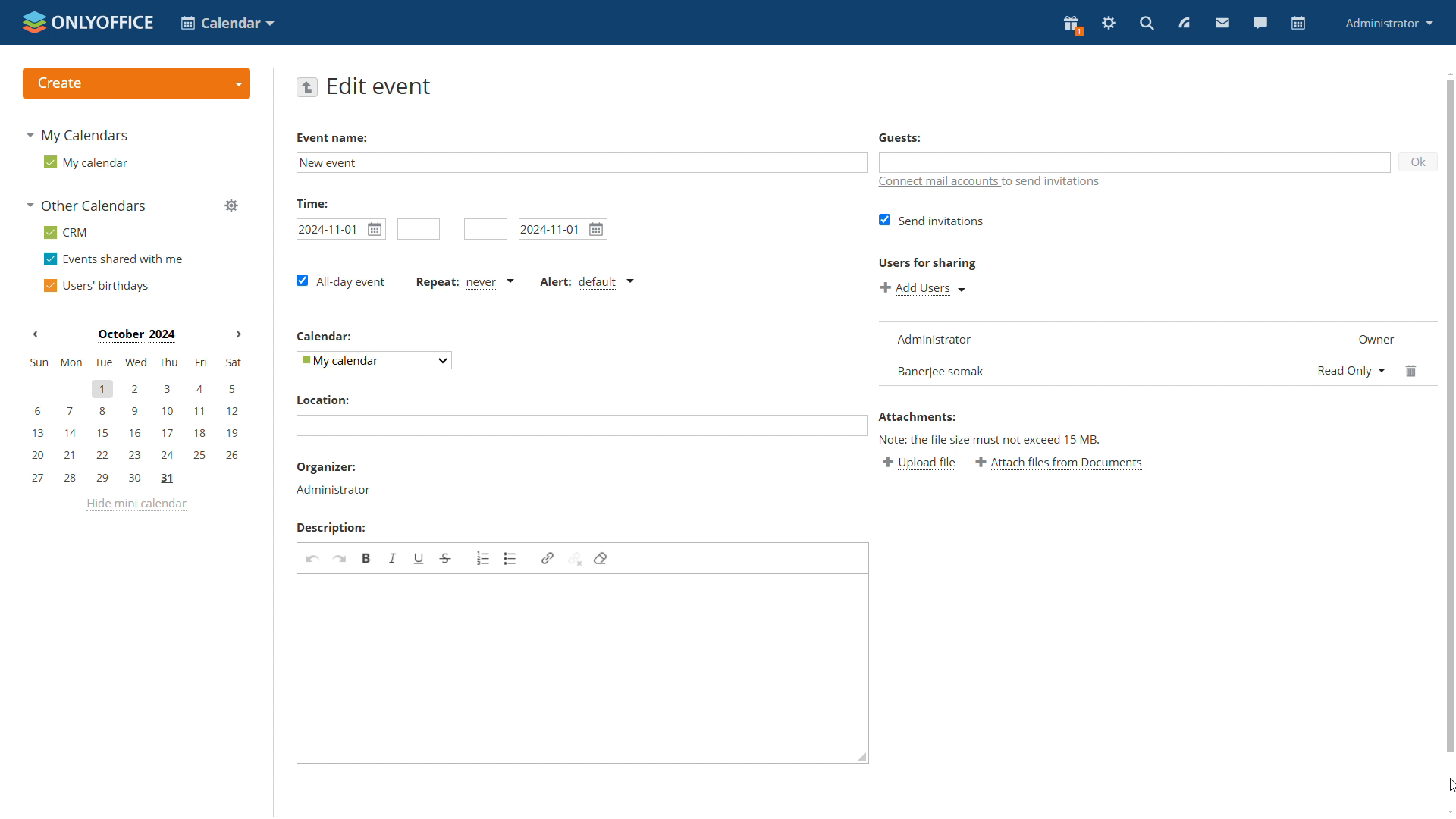  What do you see at coordinates (582, 426) in the screenshot?
I see `add location` at bounding box center [582, 426].